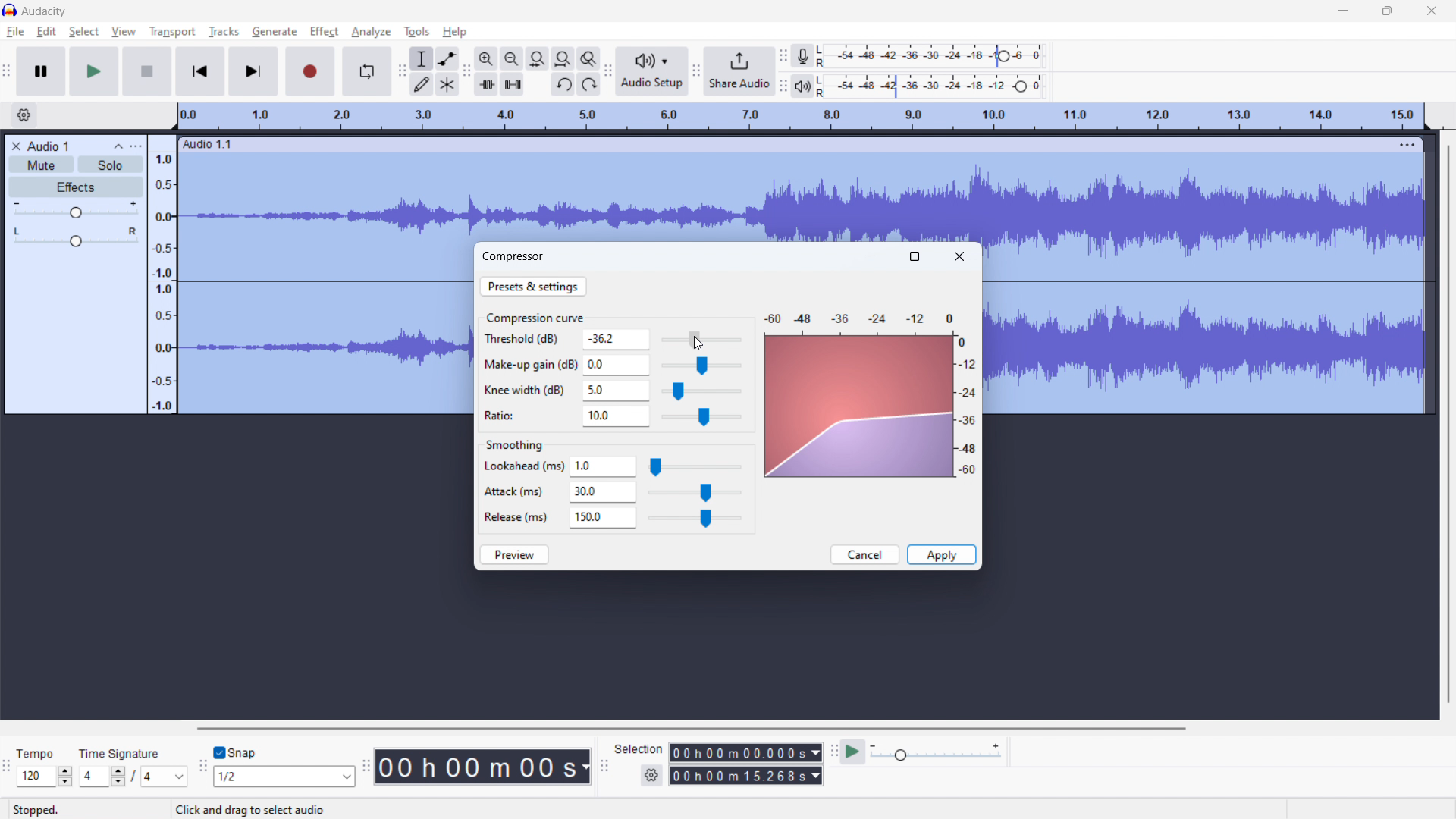  I want to click on timeline settings, so click(24, 115).